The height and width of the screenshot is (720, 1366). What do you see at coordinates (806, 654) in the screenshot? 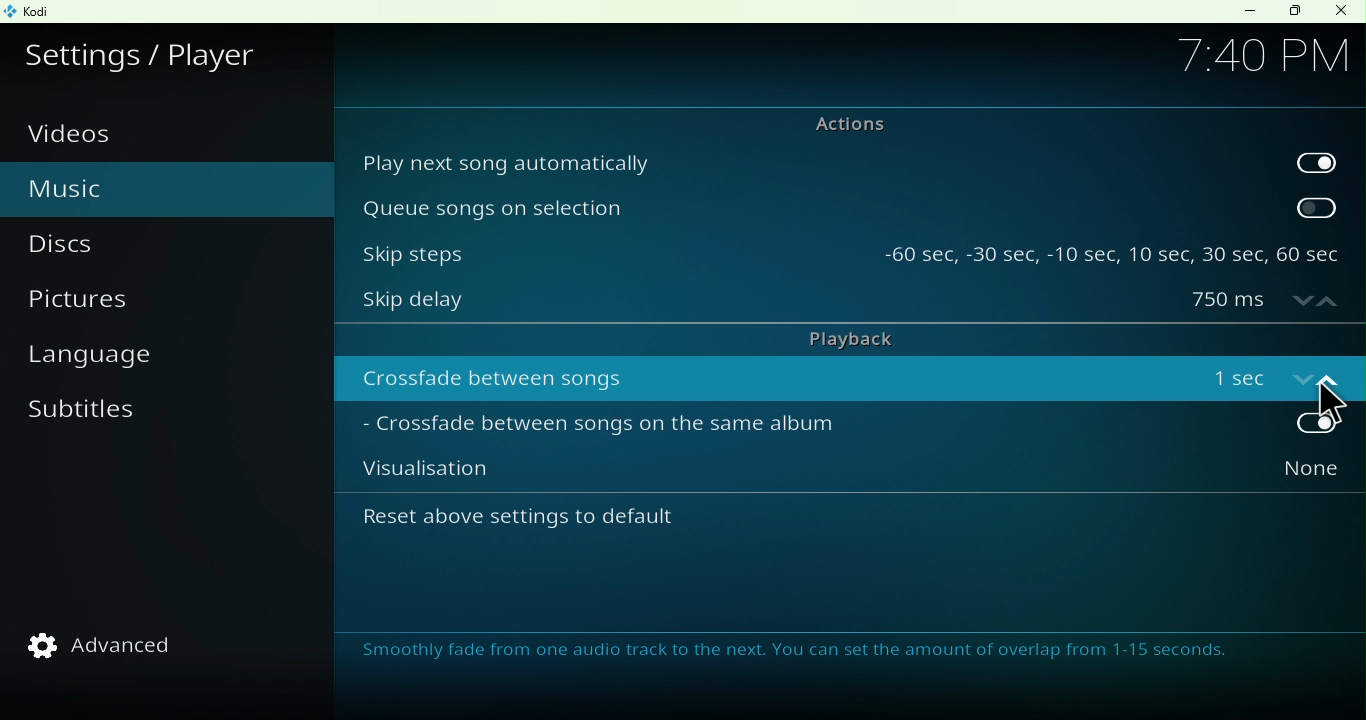
I see `Note` at bounding box center [806, 654].